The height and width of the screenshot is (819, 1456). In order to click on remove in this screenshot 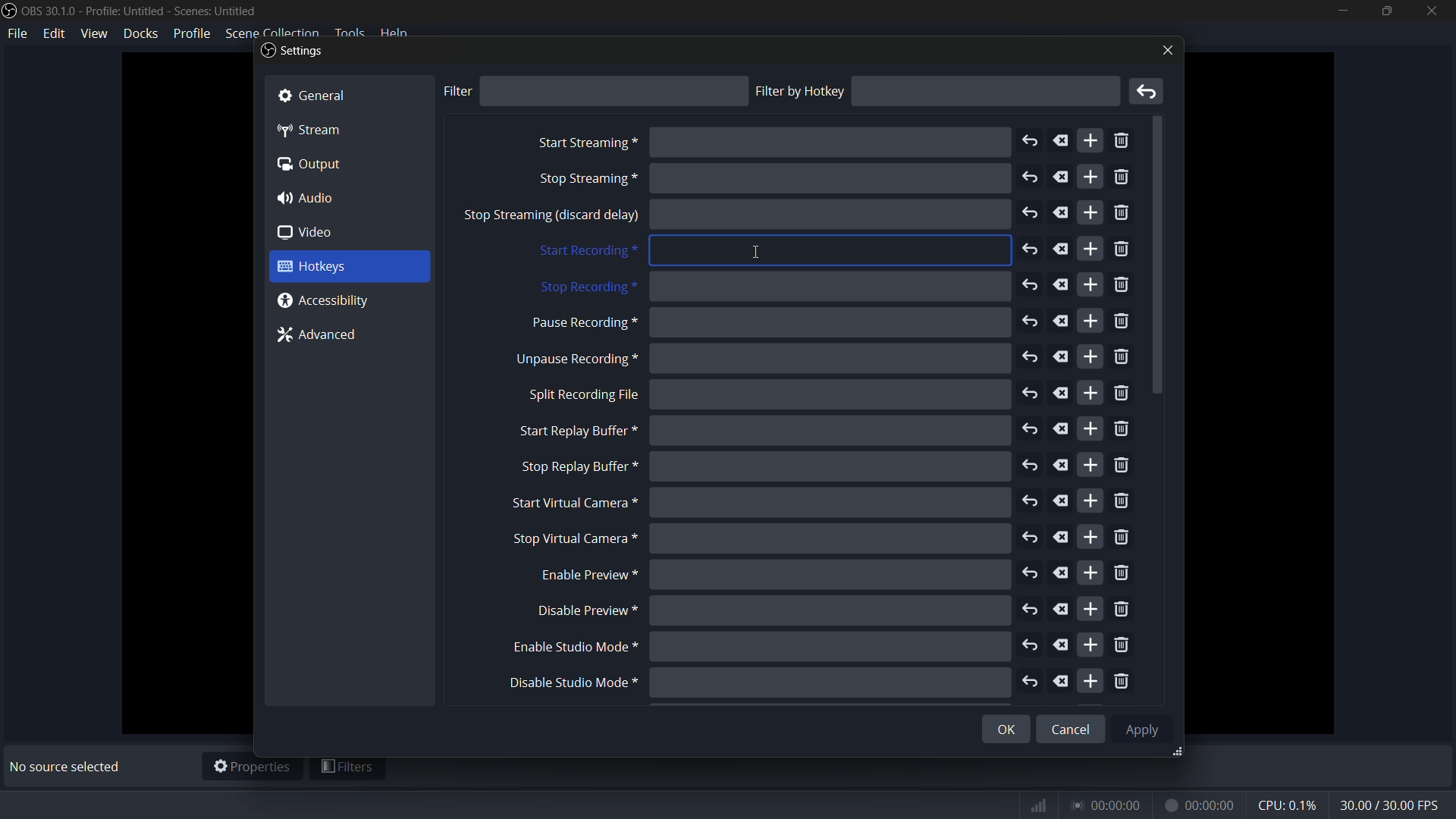, I will do `click(1125, 394)`.